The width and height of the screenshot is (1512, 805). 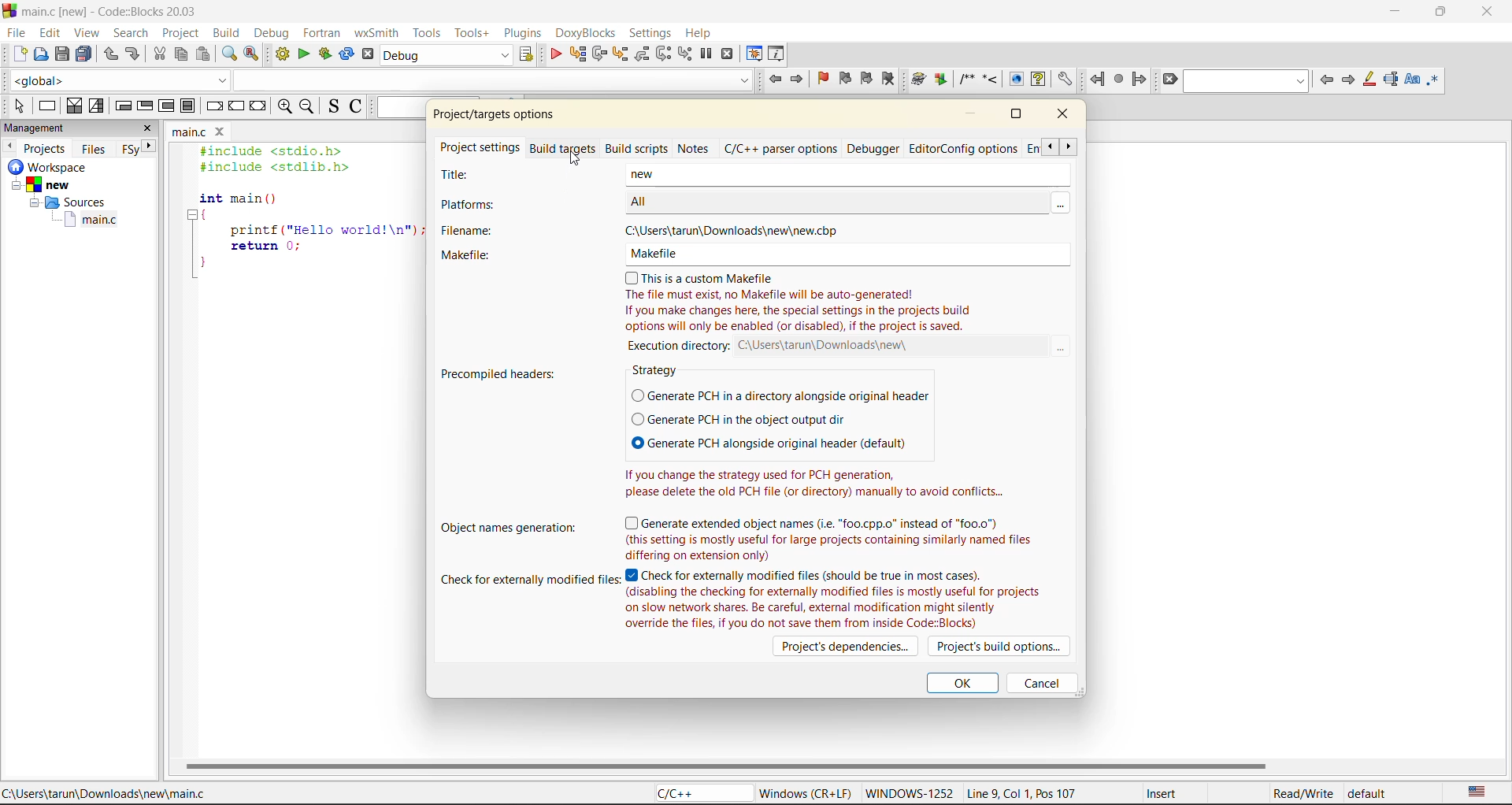 I want to click on build target, so click(x=444, y=55).